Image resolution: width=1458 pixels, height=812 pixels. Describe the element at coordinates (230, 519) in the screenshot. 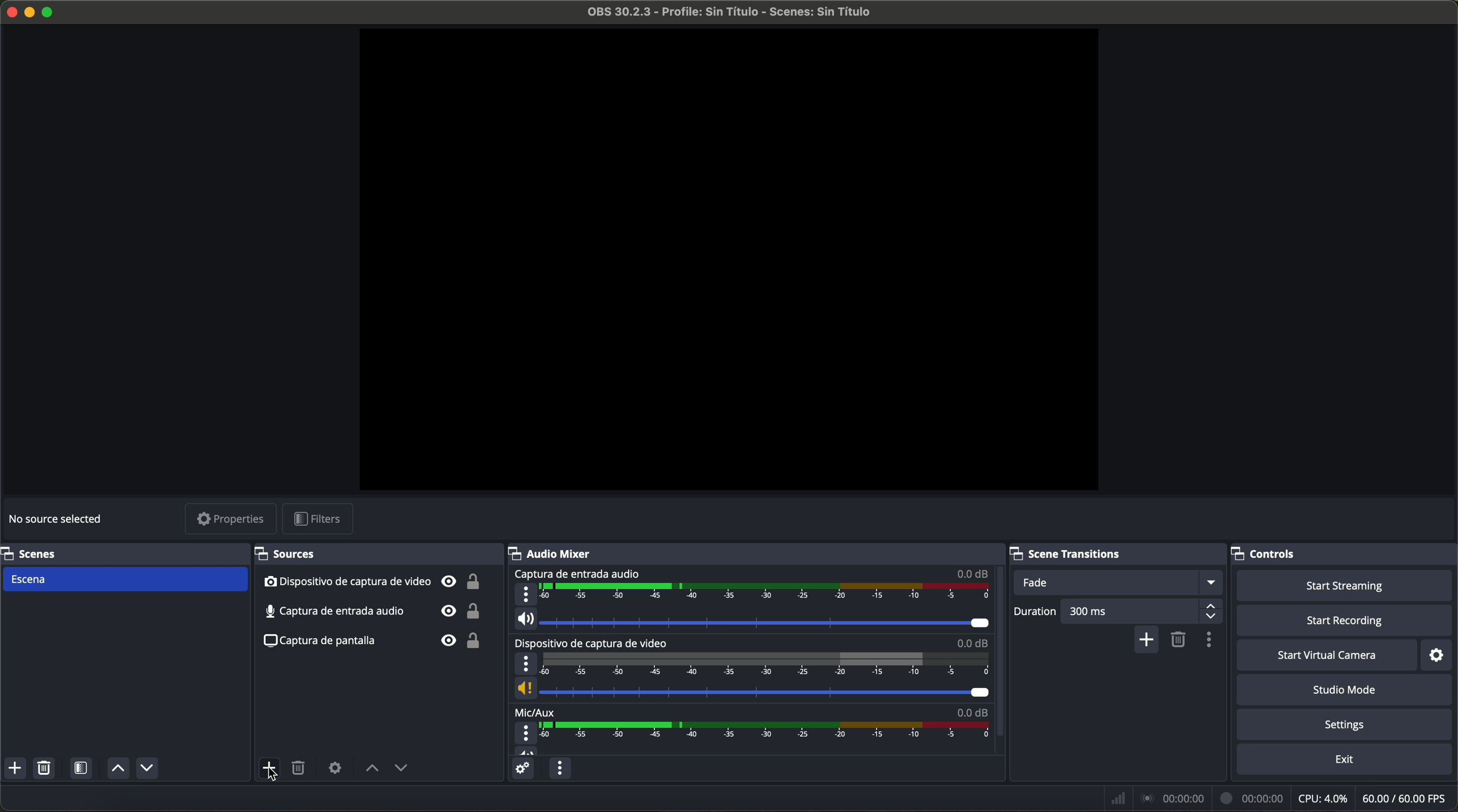

I see `properties` at that location.